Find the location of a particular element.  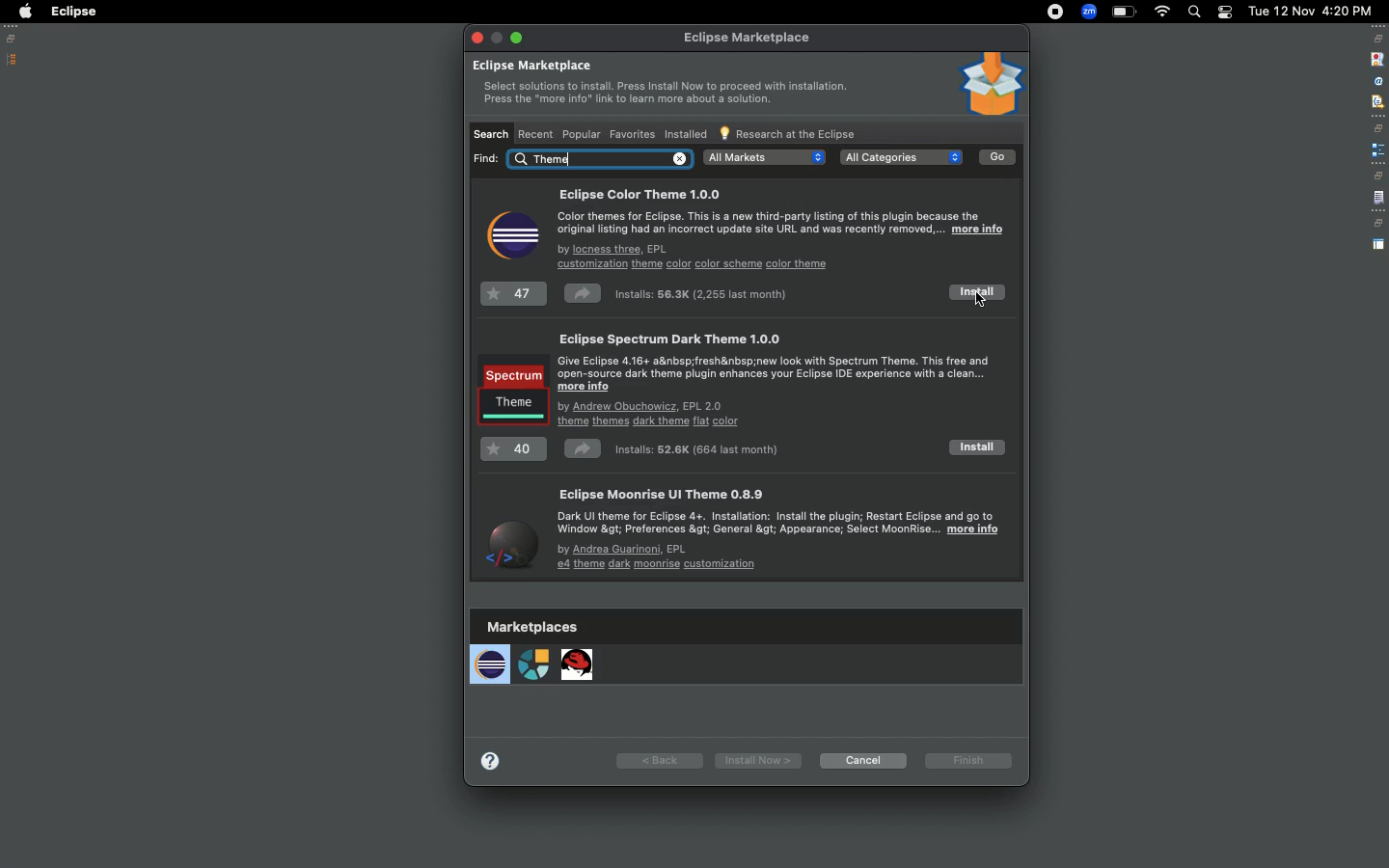

Package explorer is located at coordinates (13, 60).